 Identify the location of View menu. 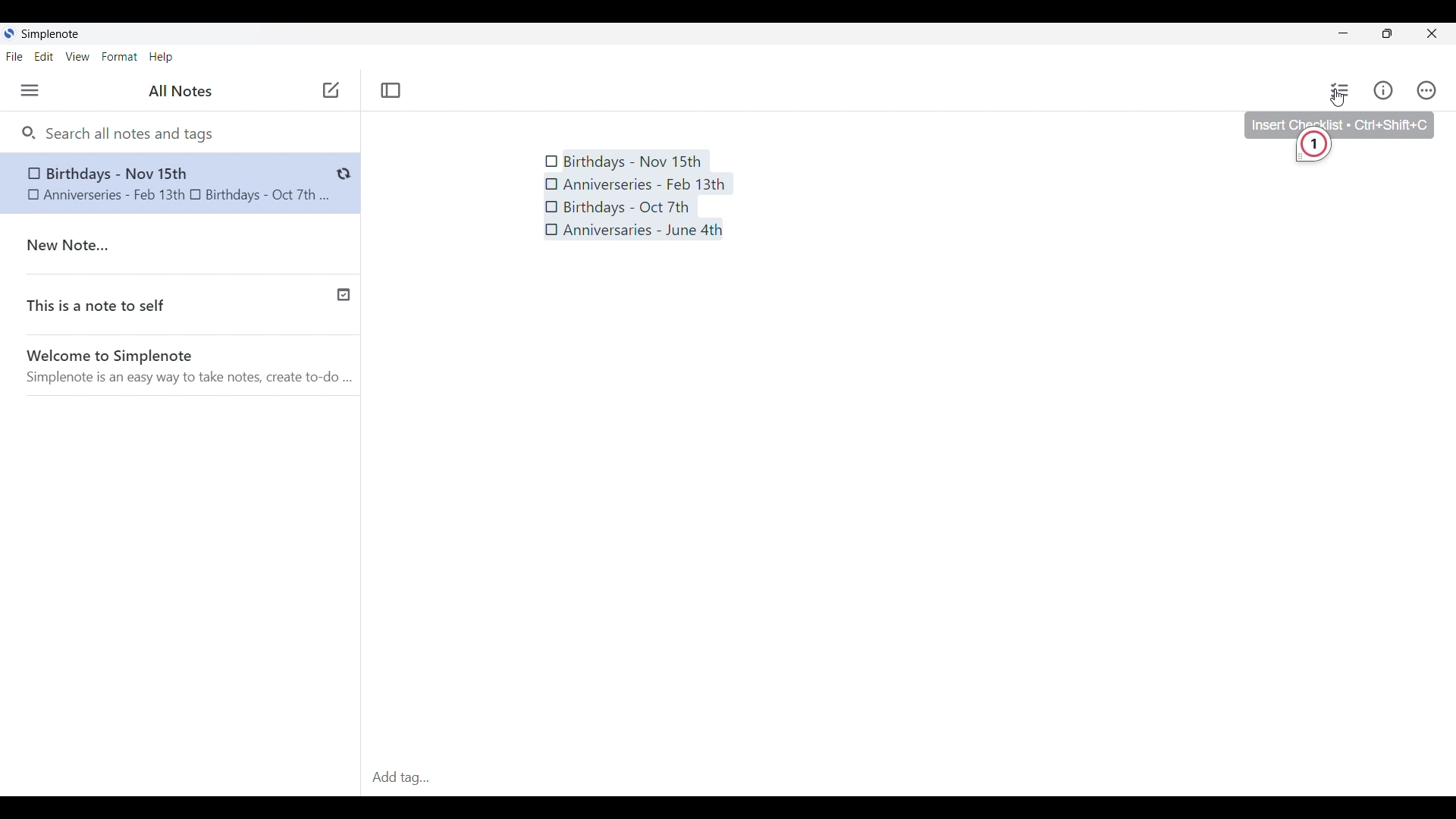
(78, 56).